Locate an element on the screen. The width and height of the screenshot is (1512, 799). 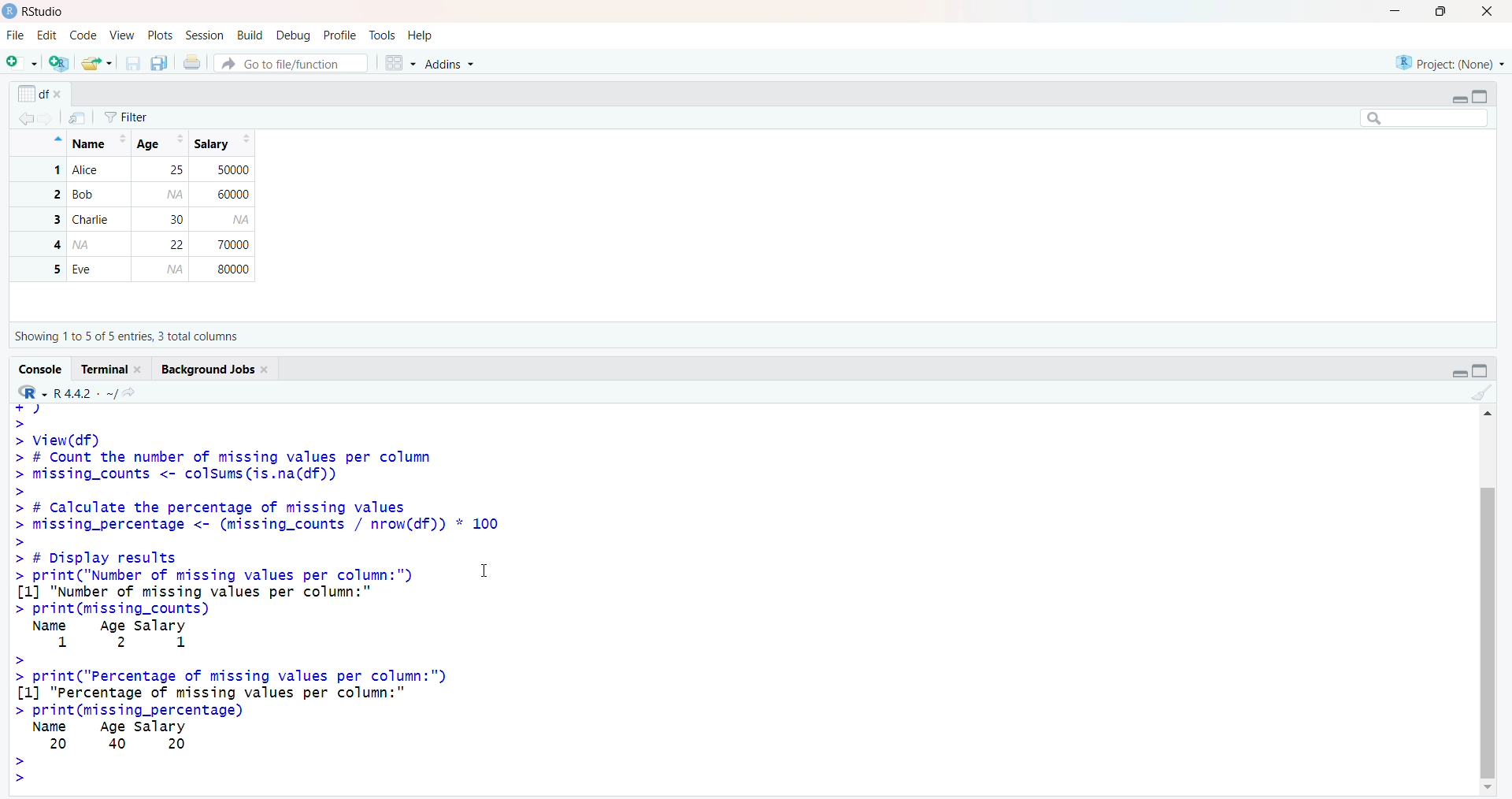
Search bar is located at coordinates (1425, 119).